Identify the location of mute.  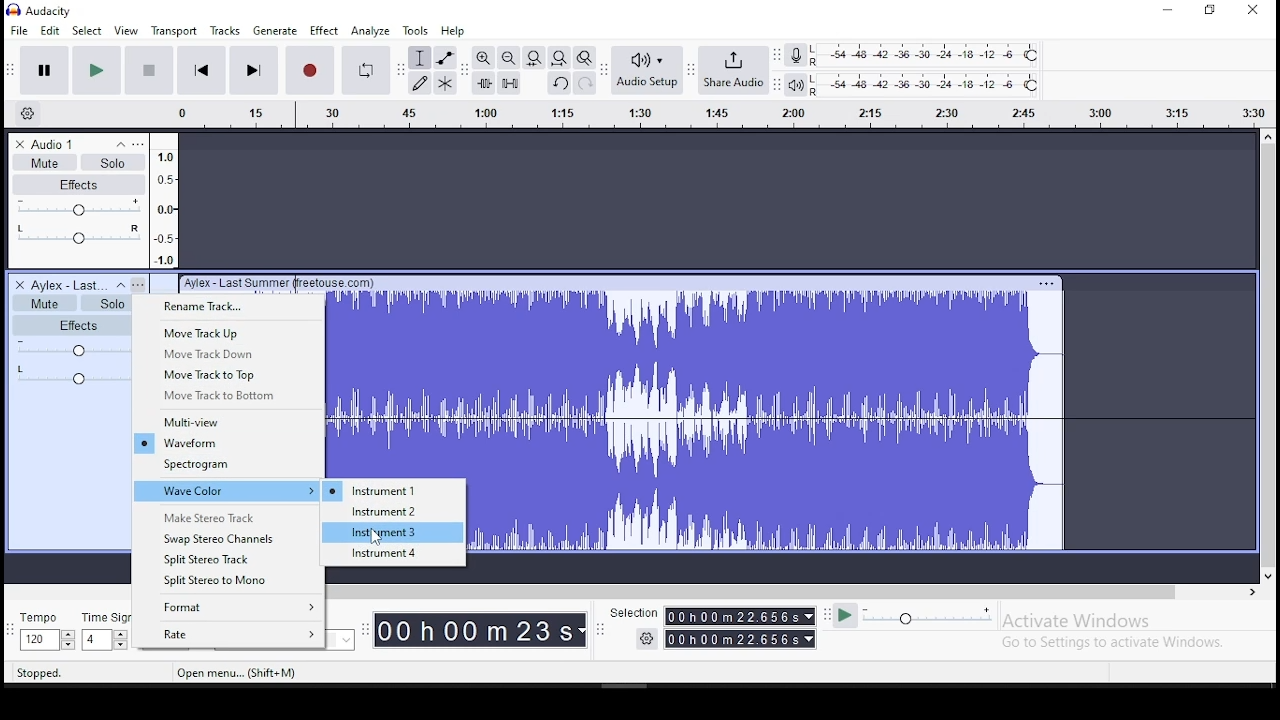
(44, 162).